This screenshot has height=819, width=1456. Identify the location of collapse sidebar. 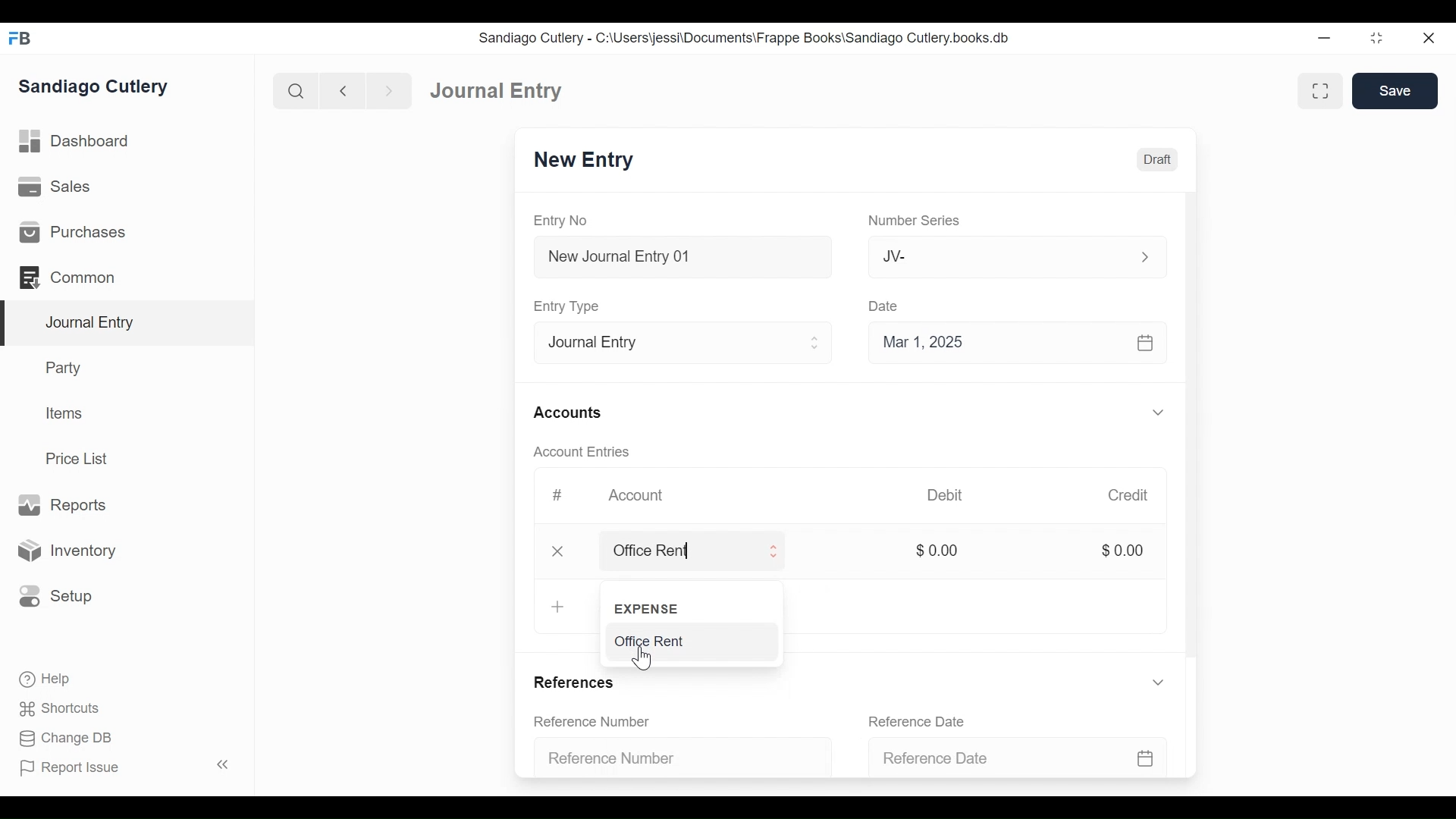
(220, 764).